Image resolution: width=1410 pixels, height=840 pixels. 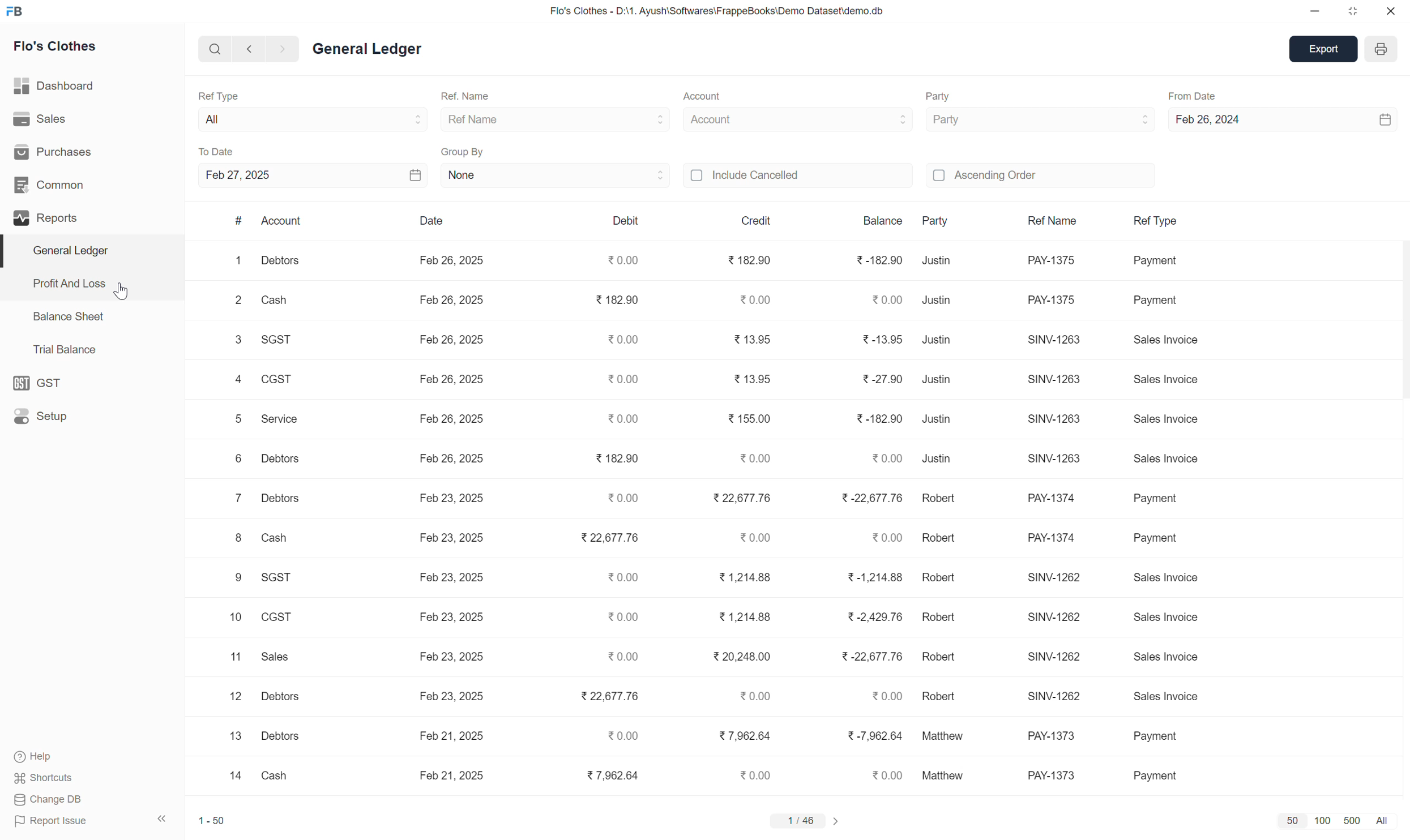 I want to click on 5, so click(x=233, y=423).